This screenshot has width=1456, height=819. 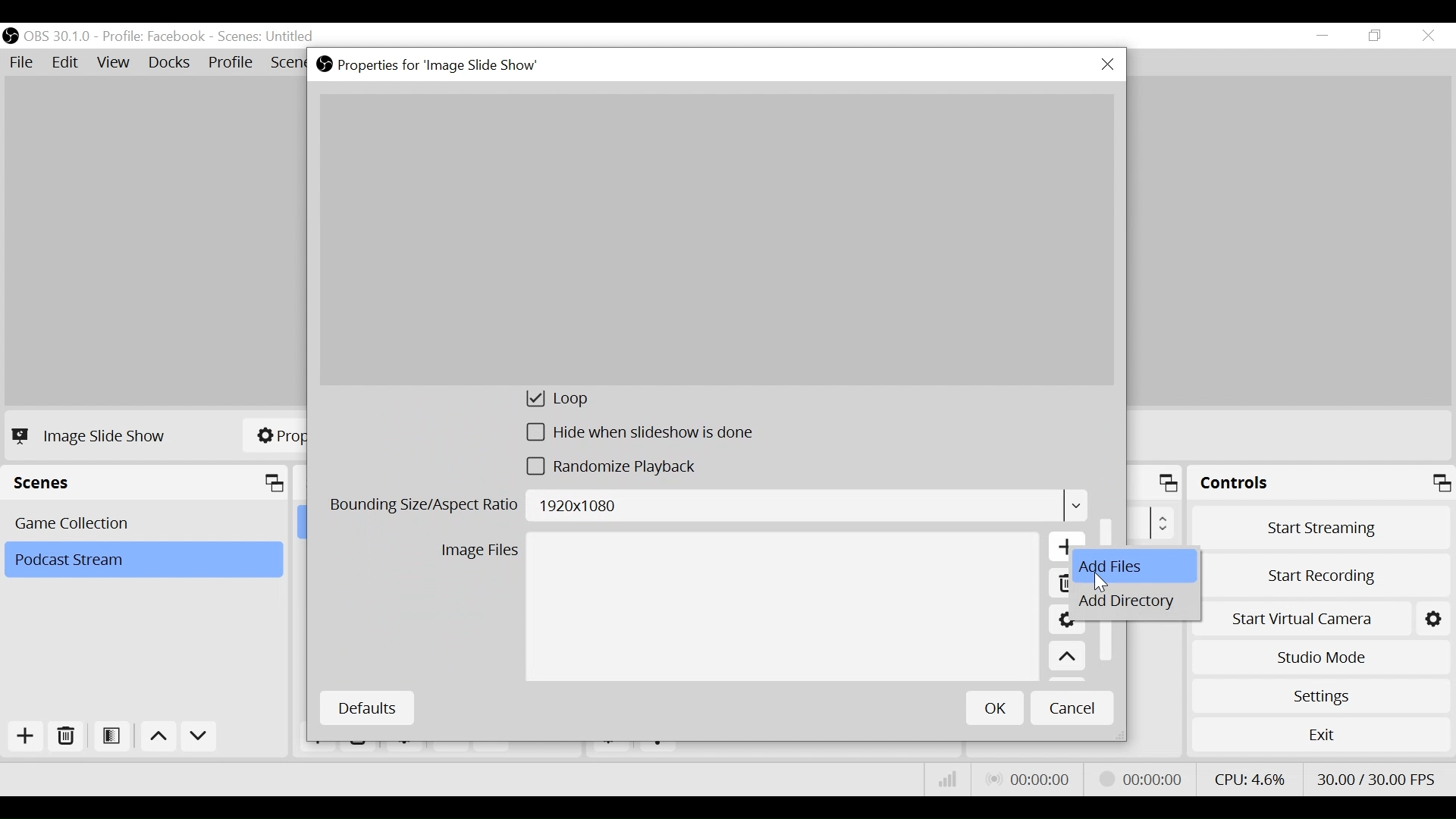 What do you see at coordinates (154, 36) in the screenshot?
I see `Profile` at bounding box center [154, 36].